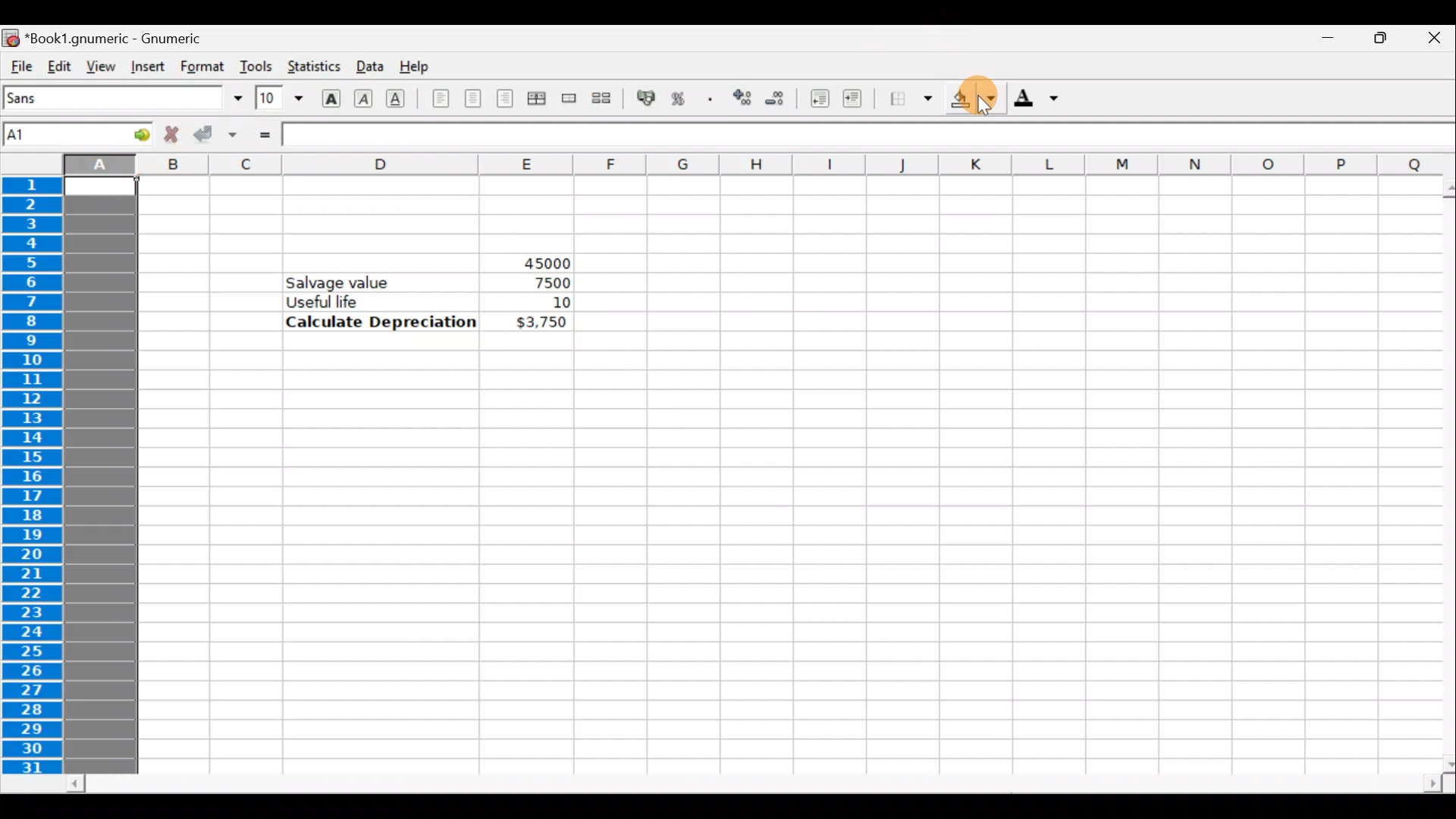  I want to click on Decrease indent, align contents to the left, so click(815, 99).